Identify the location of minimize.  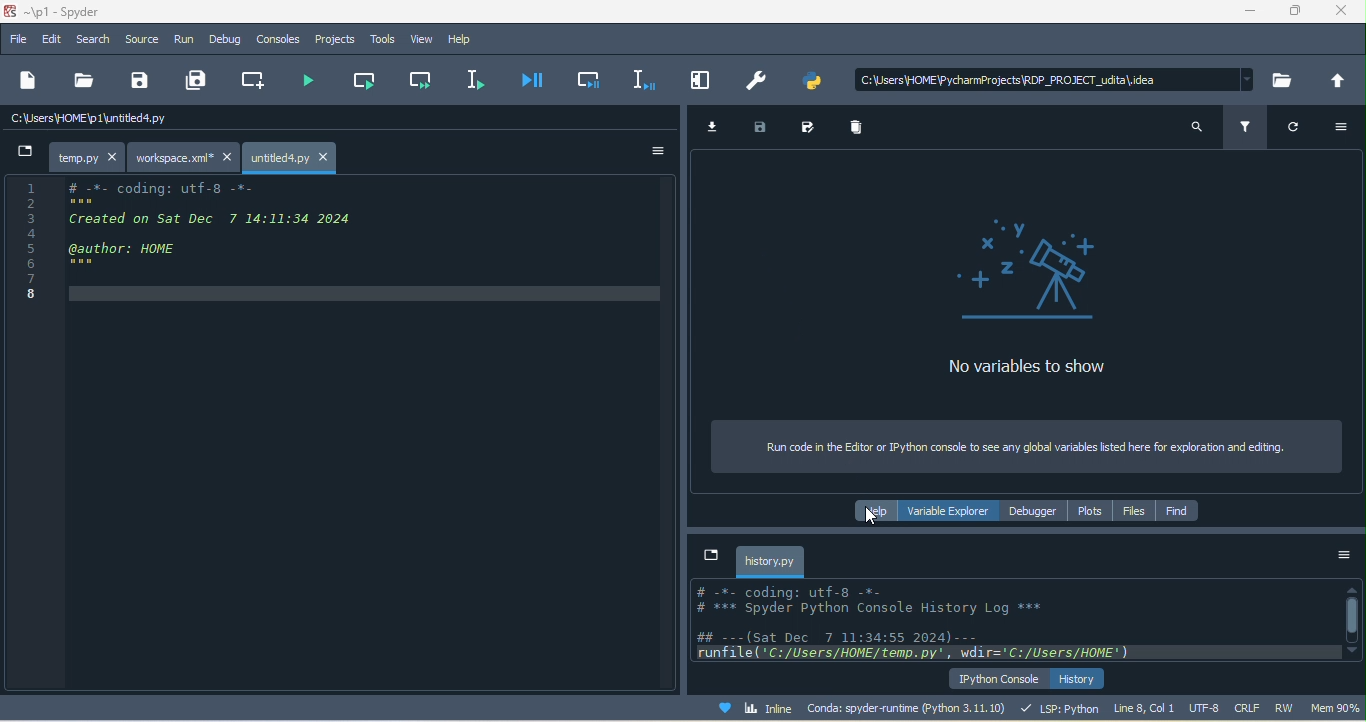
(1250, 12).